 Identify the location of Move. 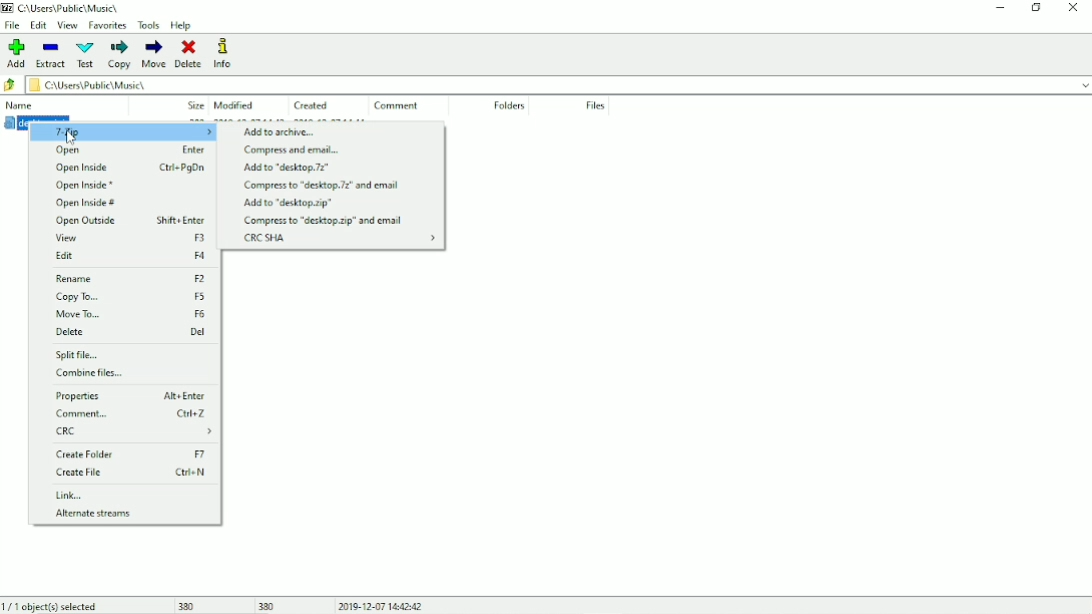
(154, 54).